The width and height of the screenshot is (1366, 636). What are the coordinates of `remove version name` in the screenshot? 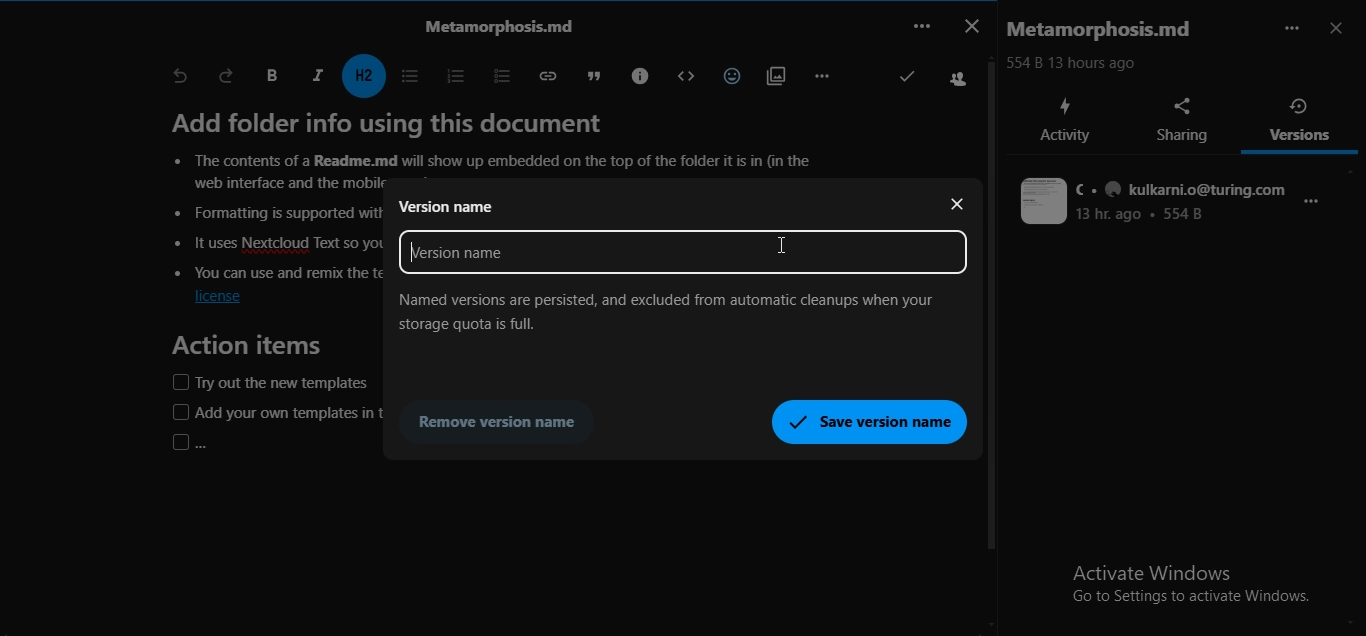 It's located at (503, 420).